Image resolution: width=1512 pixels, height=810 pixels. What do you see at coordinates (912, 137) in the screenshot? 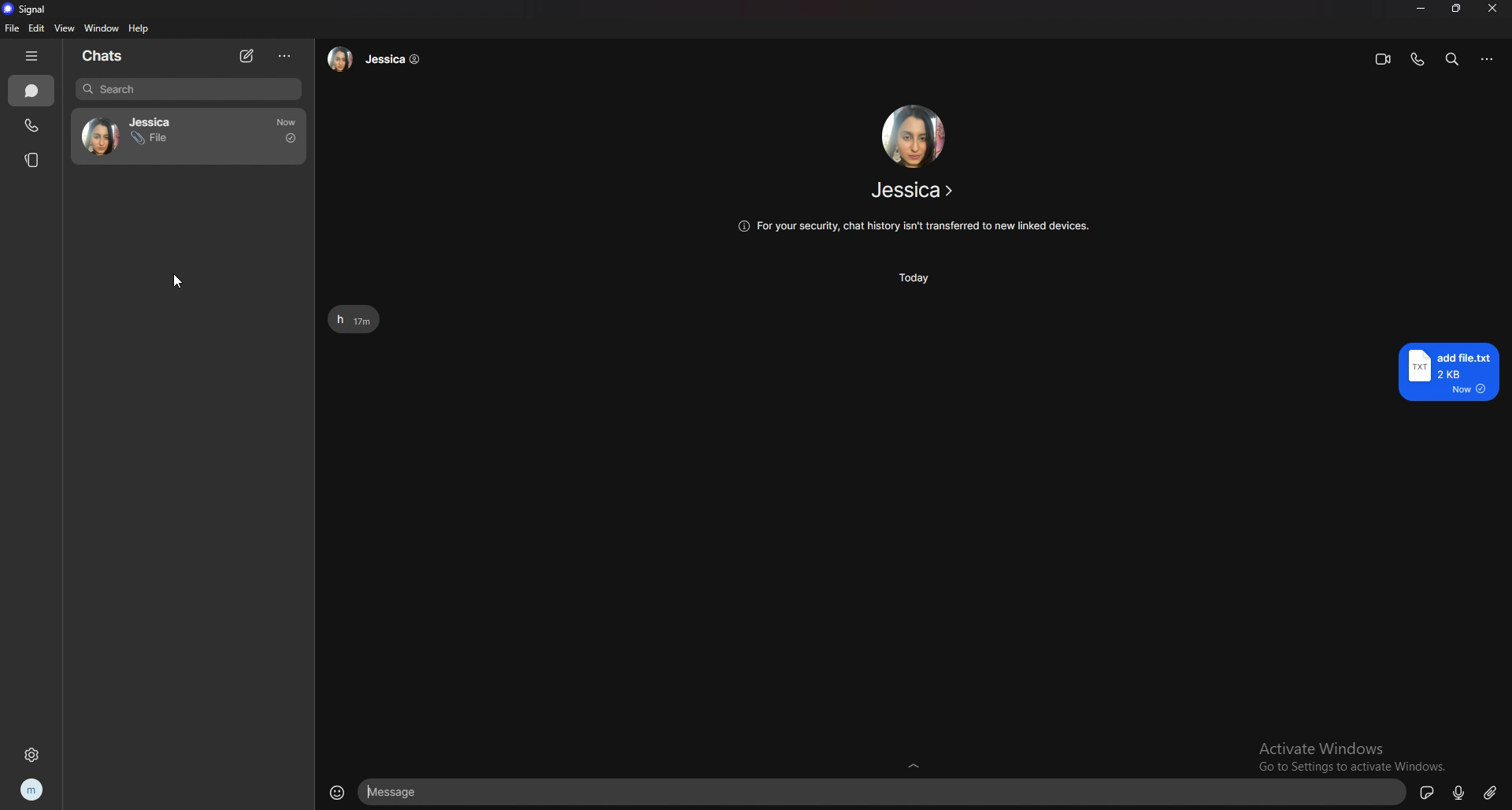
I see `friend image` at bounding box center [912, 137].